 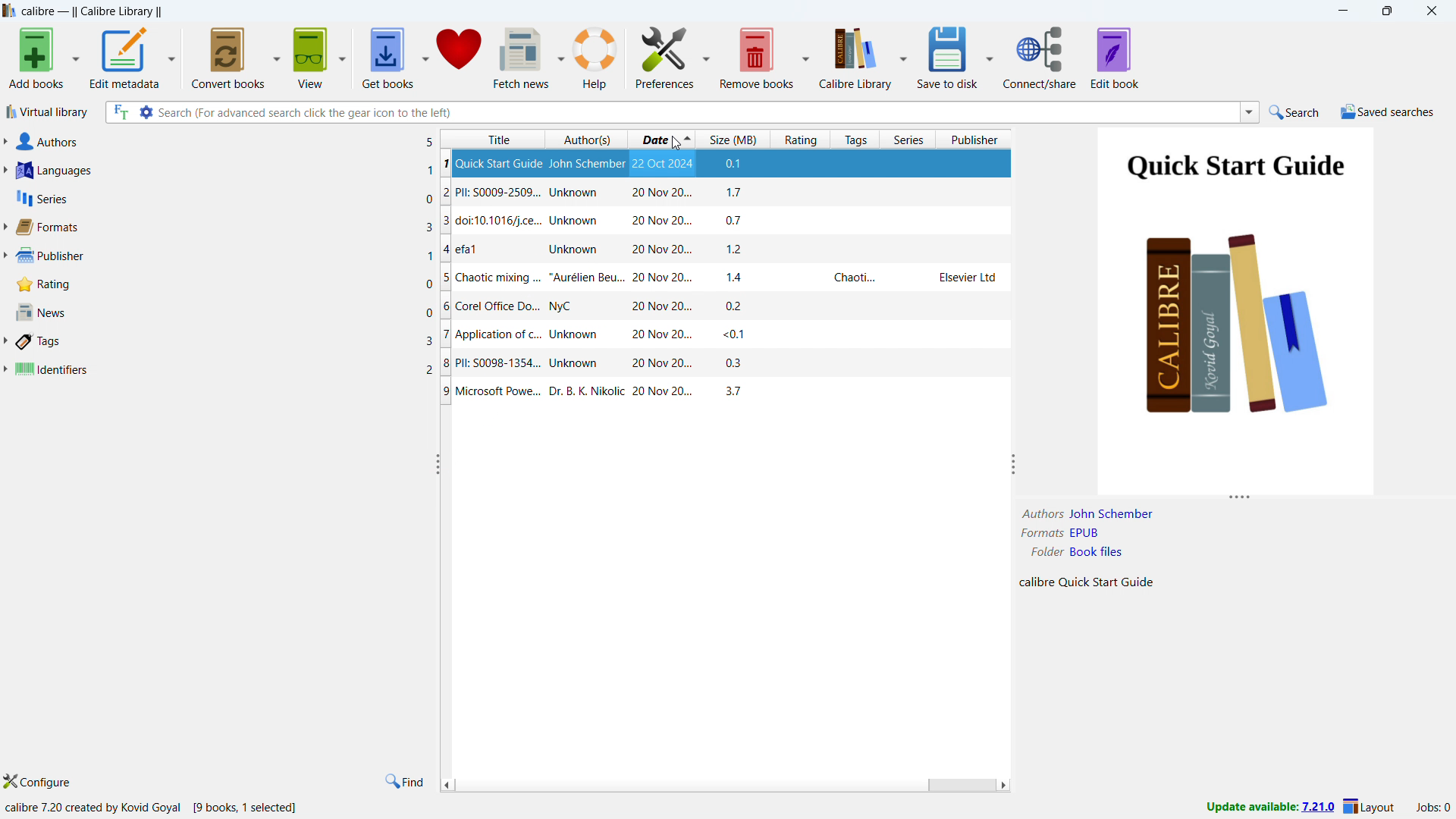 I want to click on cursor, so click(x=676, y=141).